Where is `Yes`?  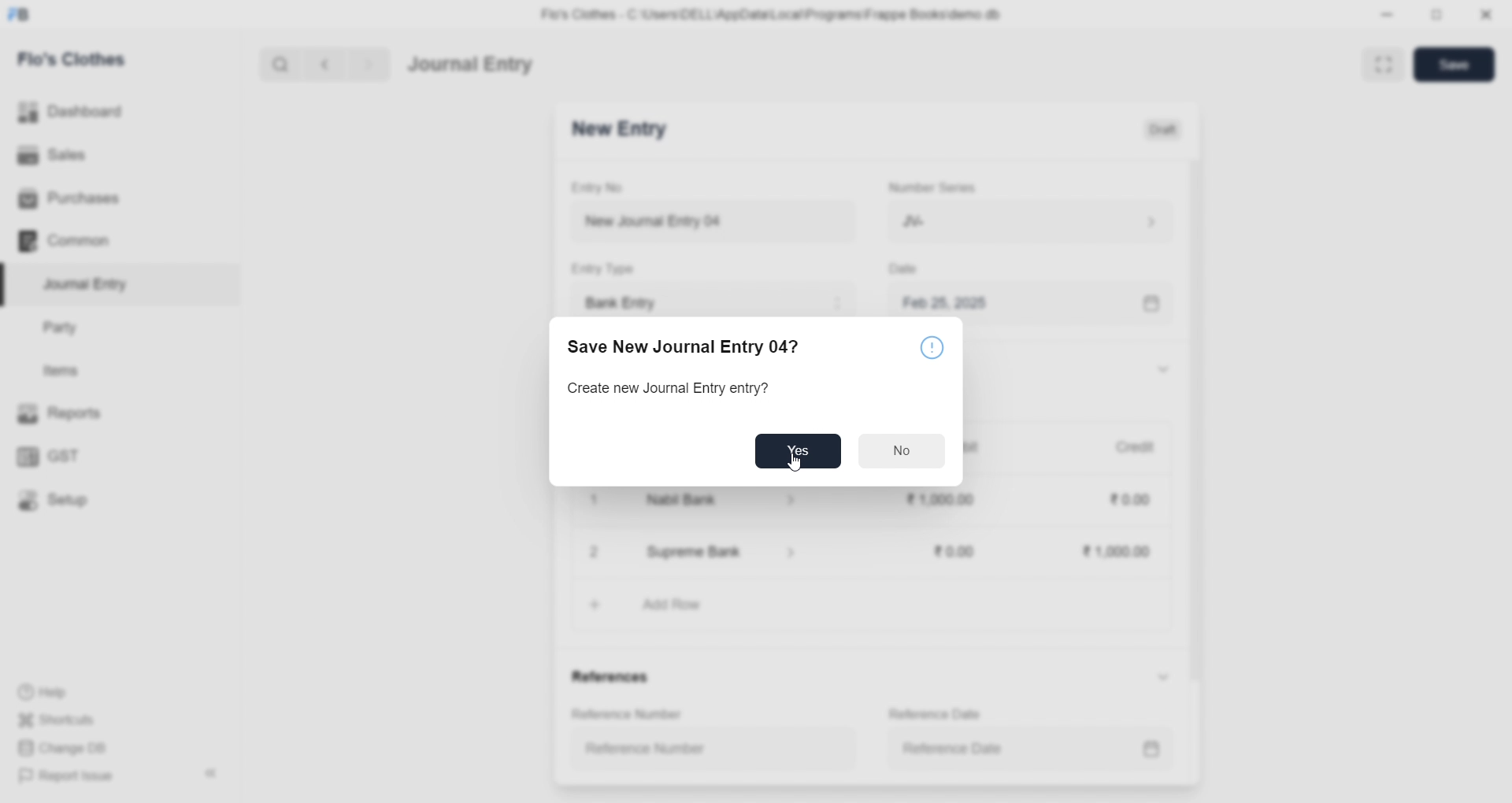
Yes is located at coordinates (800, 451).